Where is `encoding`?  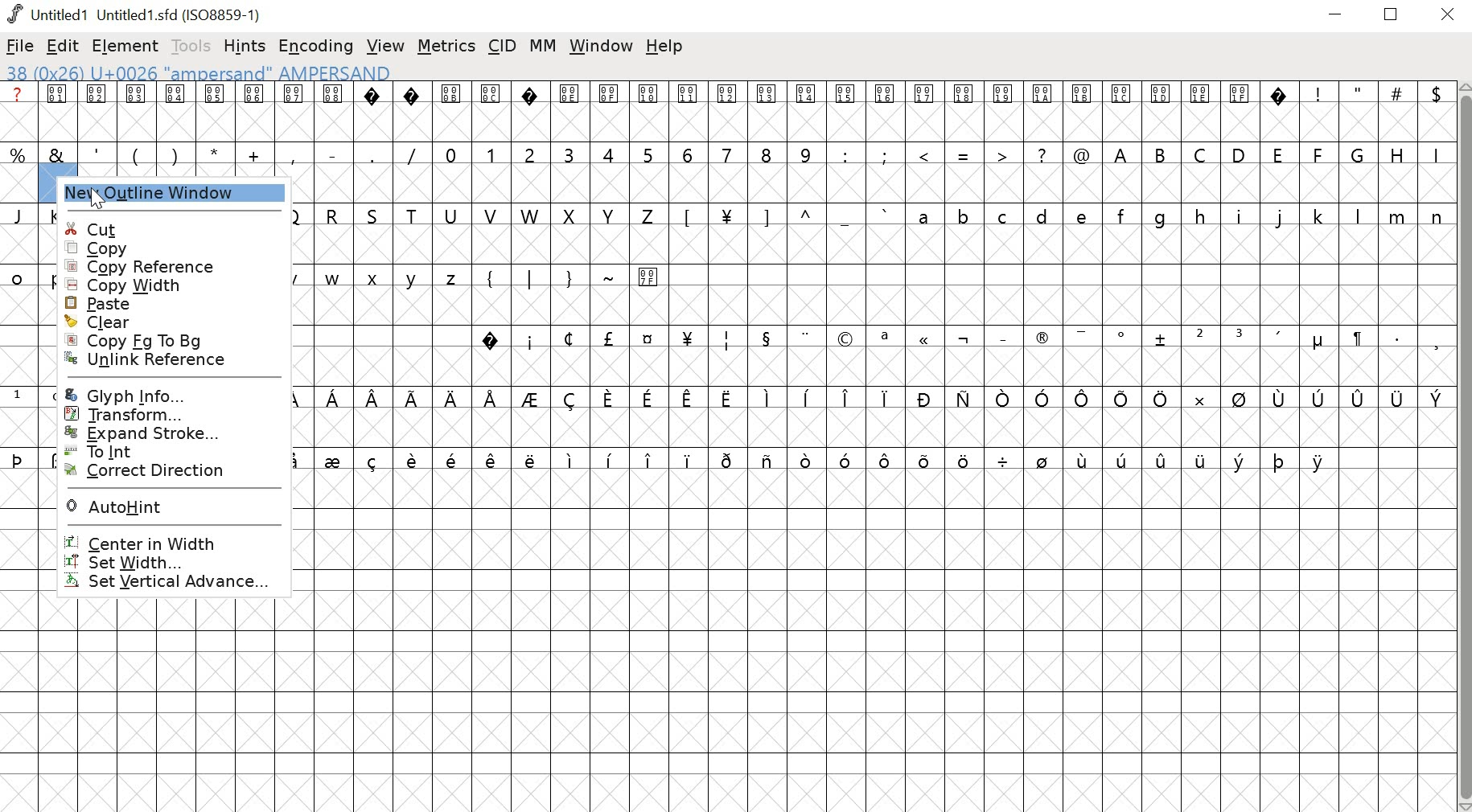 encoding is located at coordinates (315, 47).